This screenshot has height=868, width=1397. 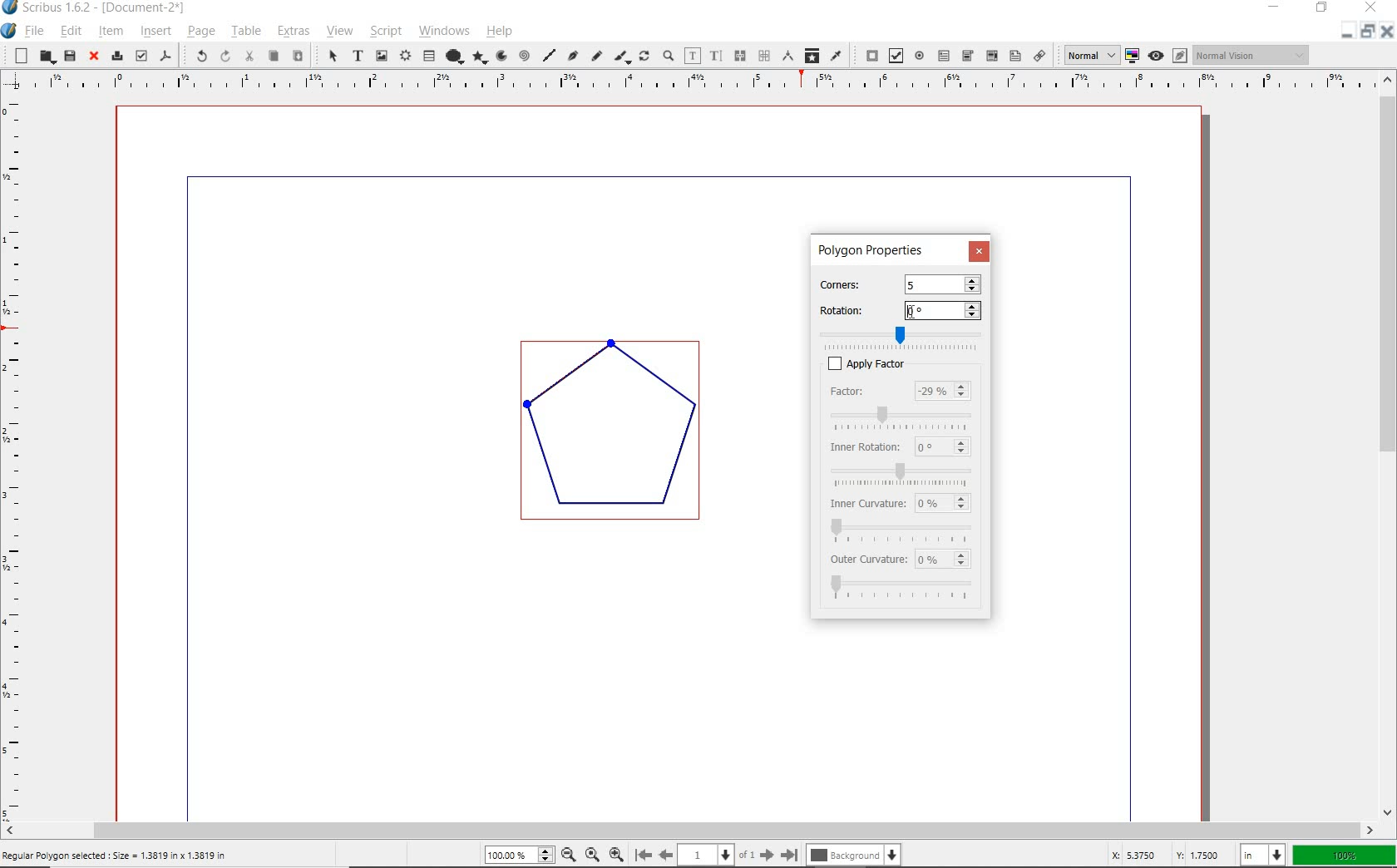 I want to click on Input corners, so click(x=941, y=284).